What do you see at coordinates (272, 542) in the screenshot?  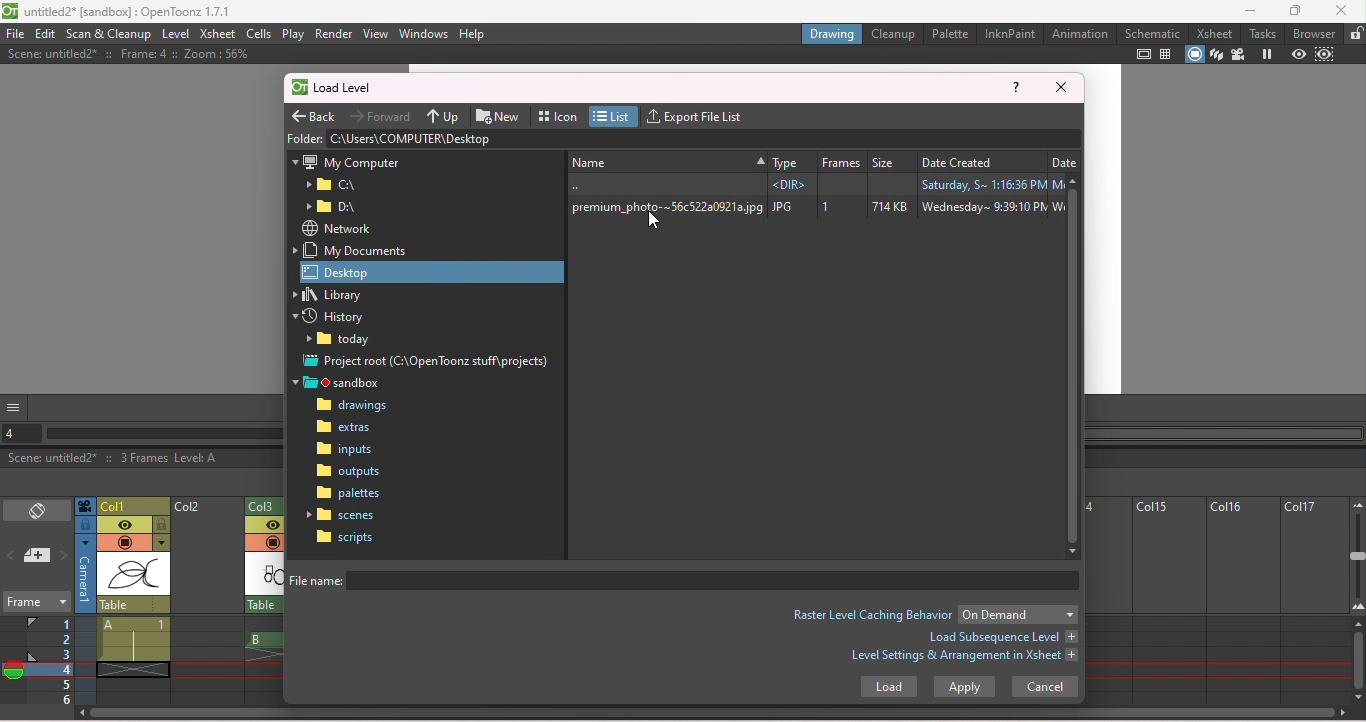 I see `camera stand visibility toggle` at bounding box center [272, 542].